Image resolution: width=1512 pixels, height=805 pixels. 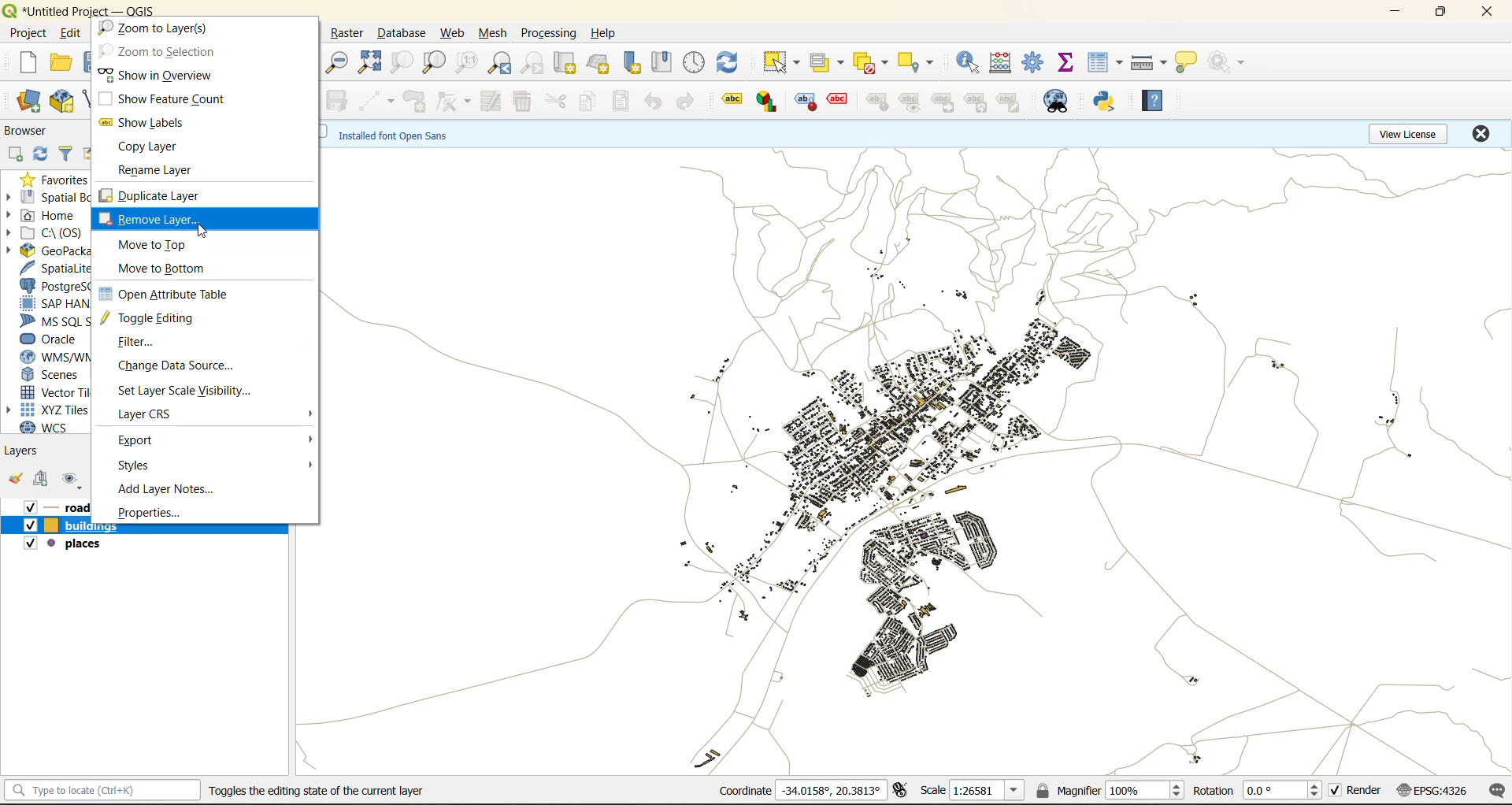 I want to click on render, so click(x=1362, y=792).